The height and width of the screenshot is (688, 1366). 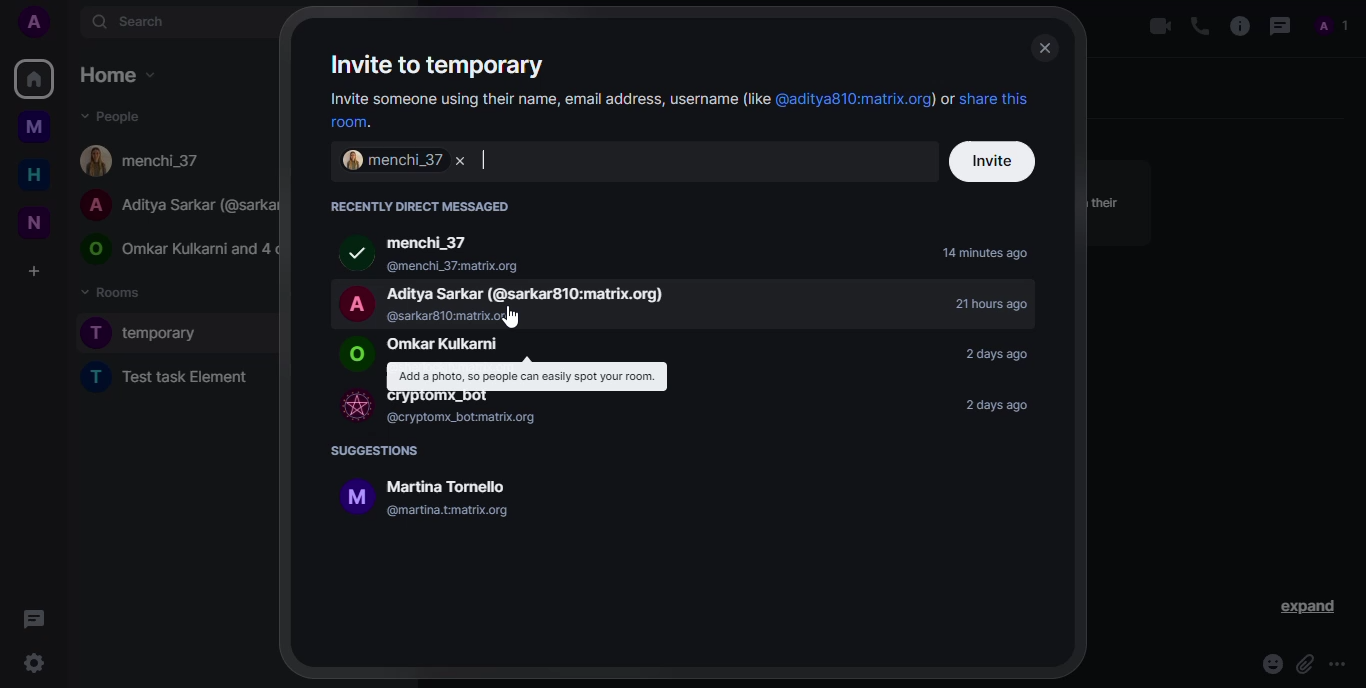 What do you see at coordinates (34, 617) in the screenshot?
I see `` at bounding box center [34, 617].